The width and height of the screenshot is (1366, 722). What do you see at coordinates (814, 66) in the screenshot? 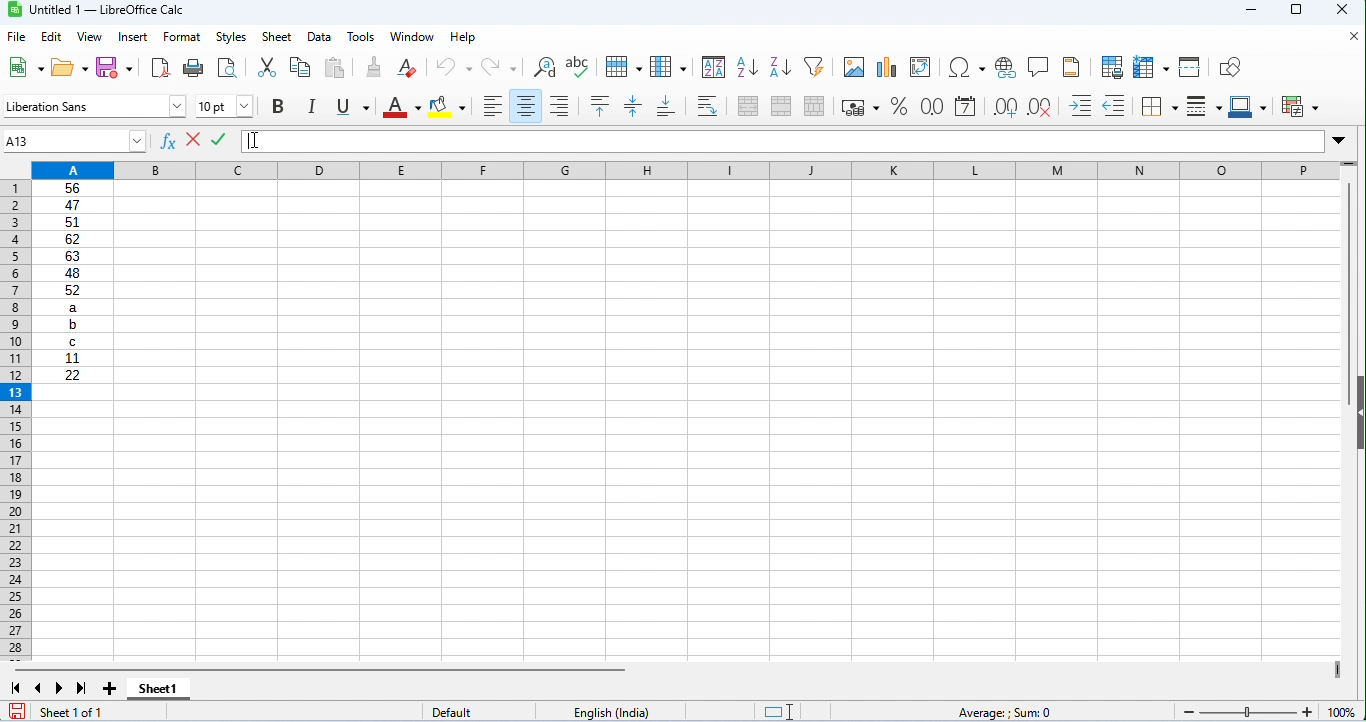
I see `filter` at bounding box center [814, 66].